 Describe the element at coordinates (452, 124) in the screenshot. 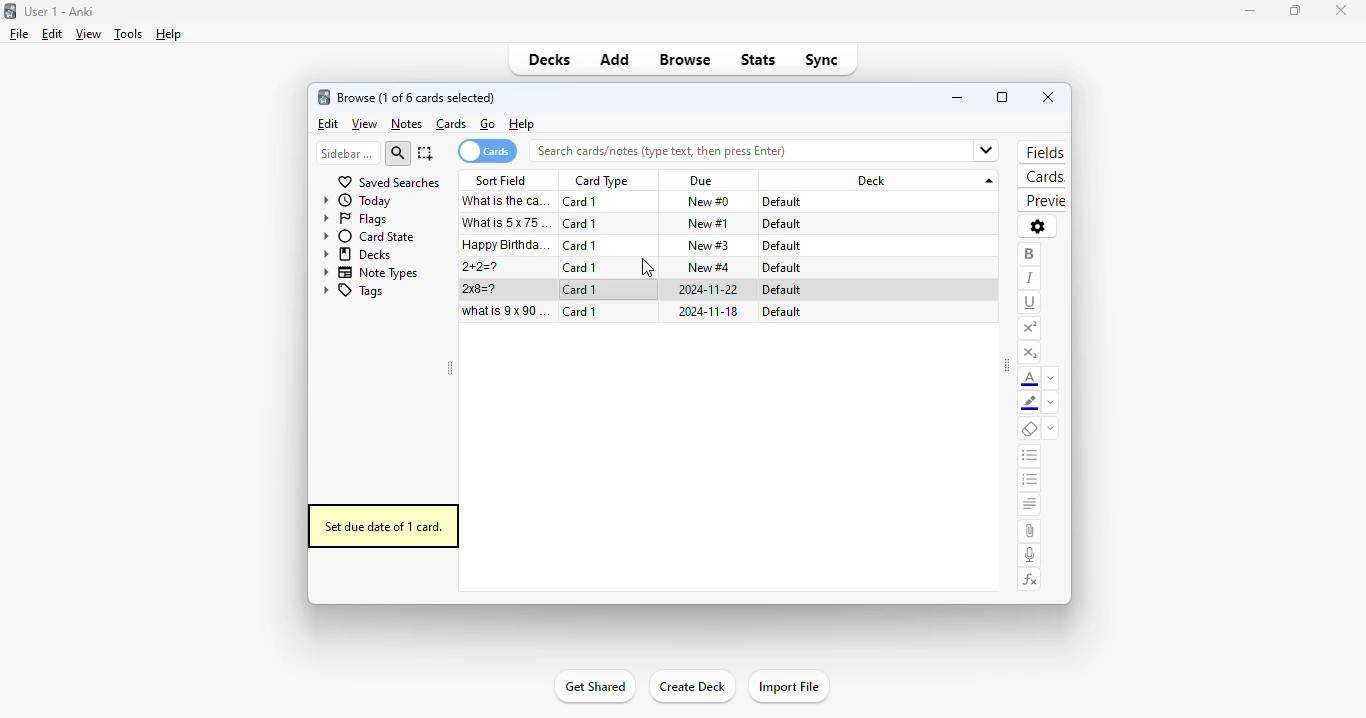

I see `cards` at that location.